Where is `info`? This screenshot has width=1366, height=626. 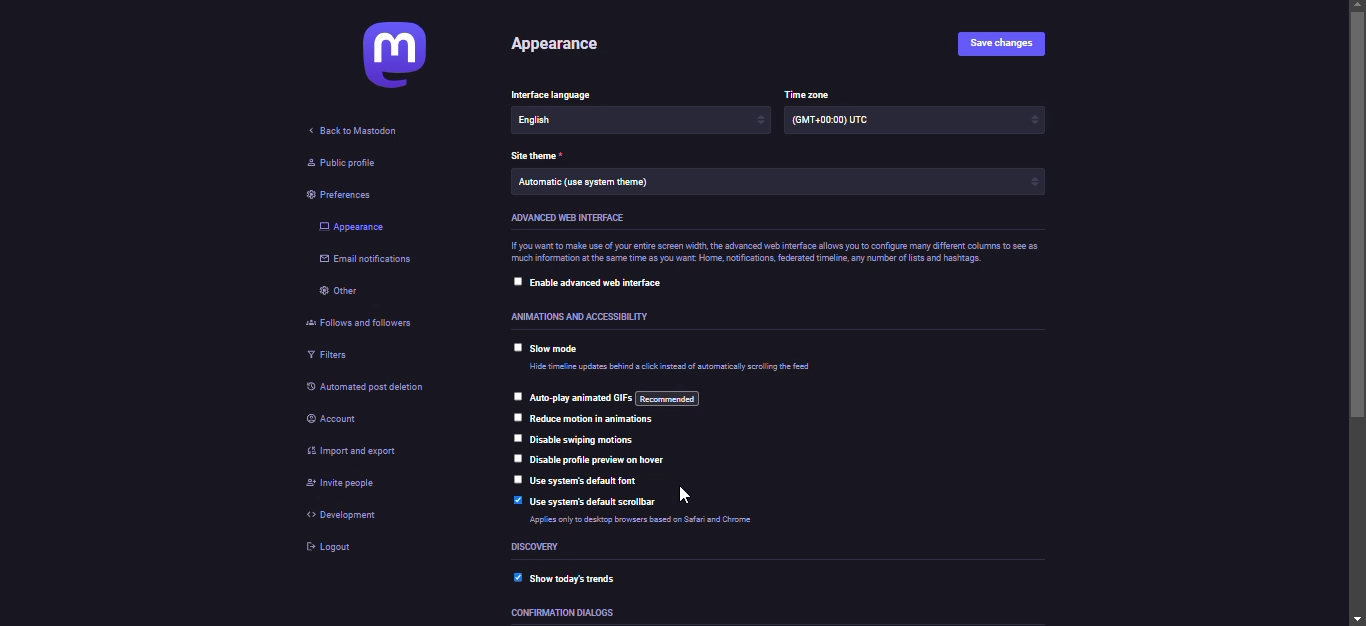
info is located at coordinates (775, 253).